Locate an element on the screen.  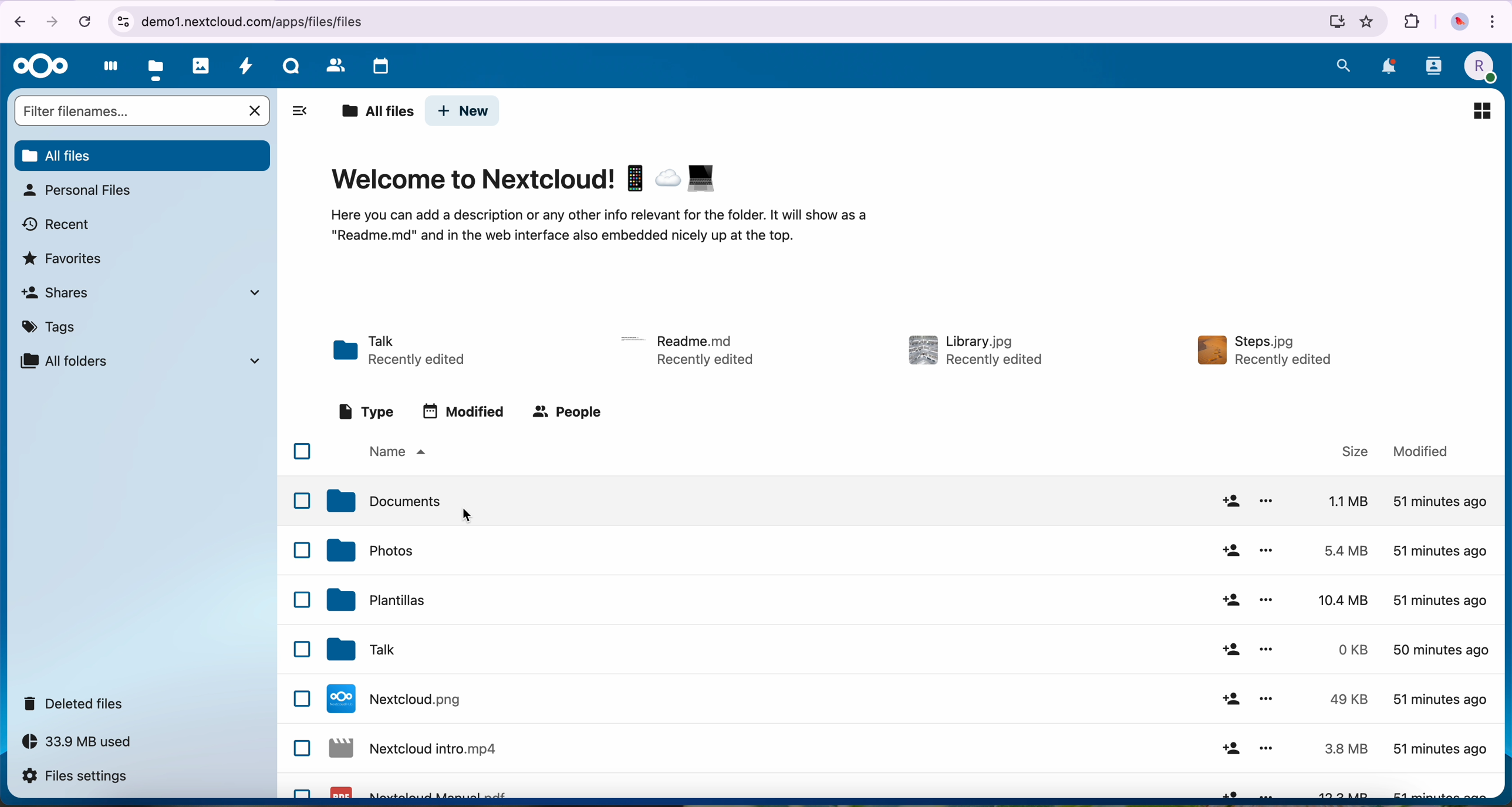
options is located at coordinates (1265, 698).